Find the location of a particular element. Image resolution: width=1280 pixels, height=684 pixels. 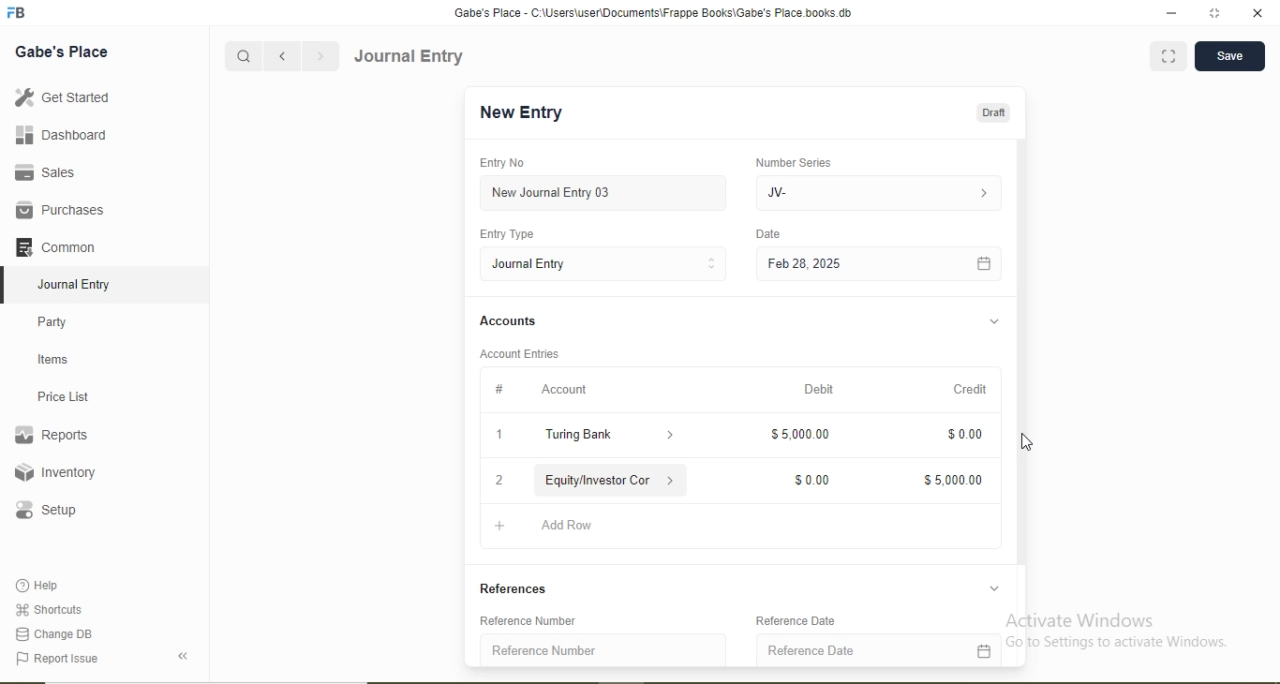

Reference Date is located at coordinates (795, 621).